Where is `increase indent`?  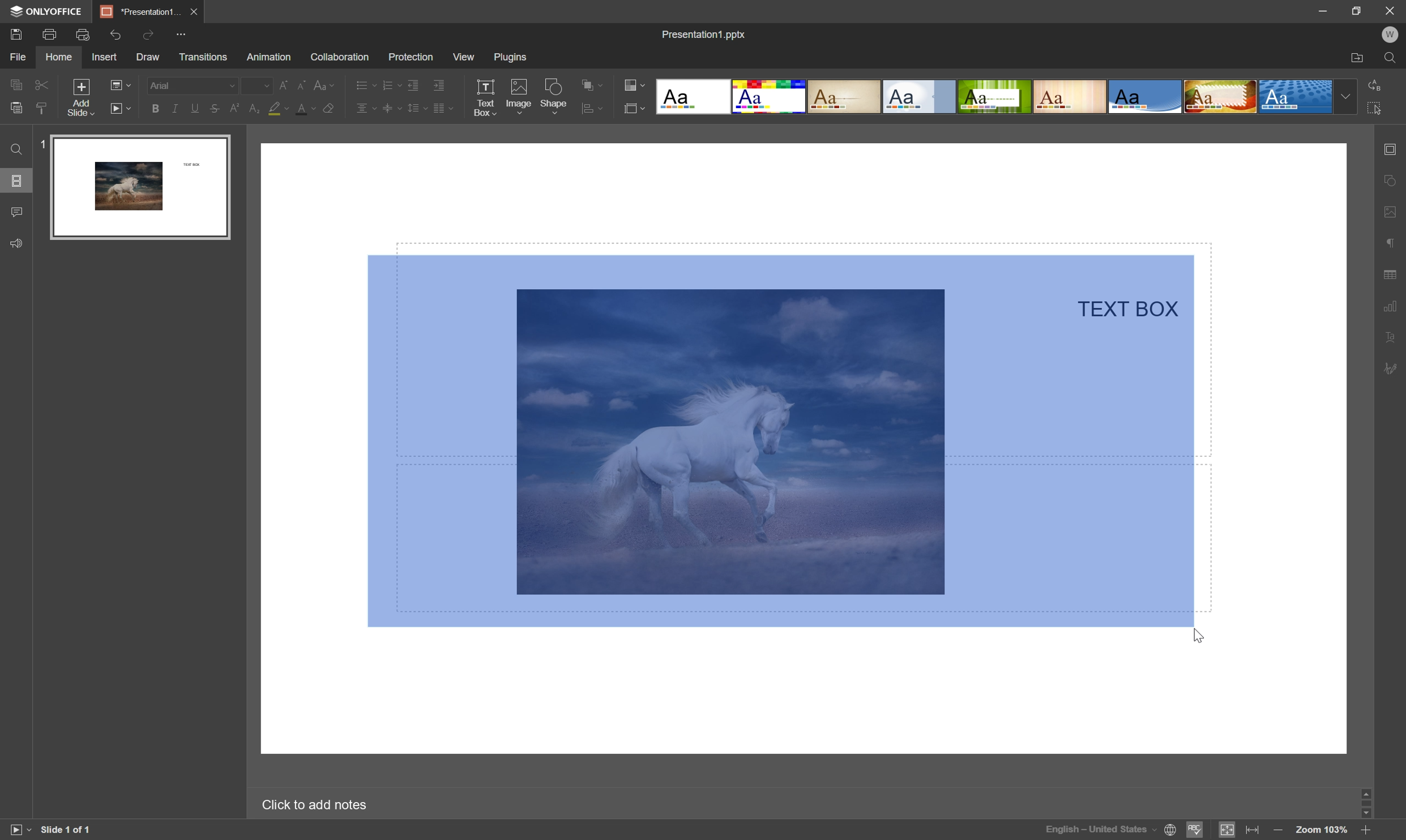
increase indent is located at coordinates (439, 85).